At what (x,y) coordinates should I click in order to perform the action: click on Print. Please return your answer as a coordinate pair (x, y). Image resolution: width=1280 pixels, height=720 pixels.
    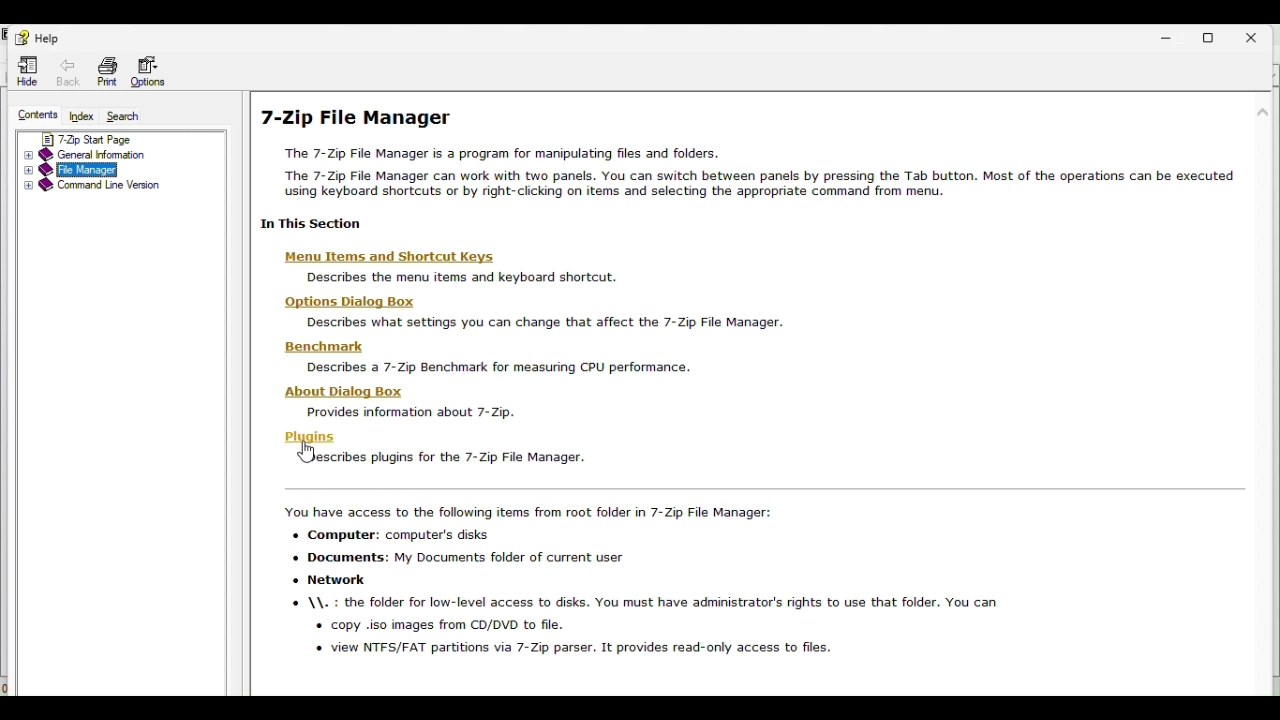
    Looking at the image, I should click on (104, 70).